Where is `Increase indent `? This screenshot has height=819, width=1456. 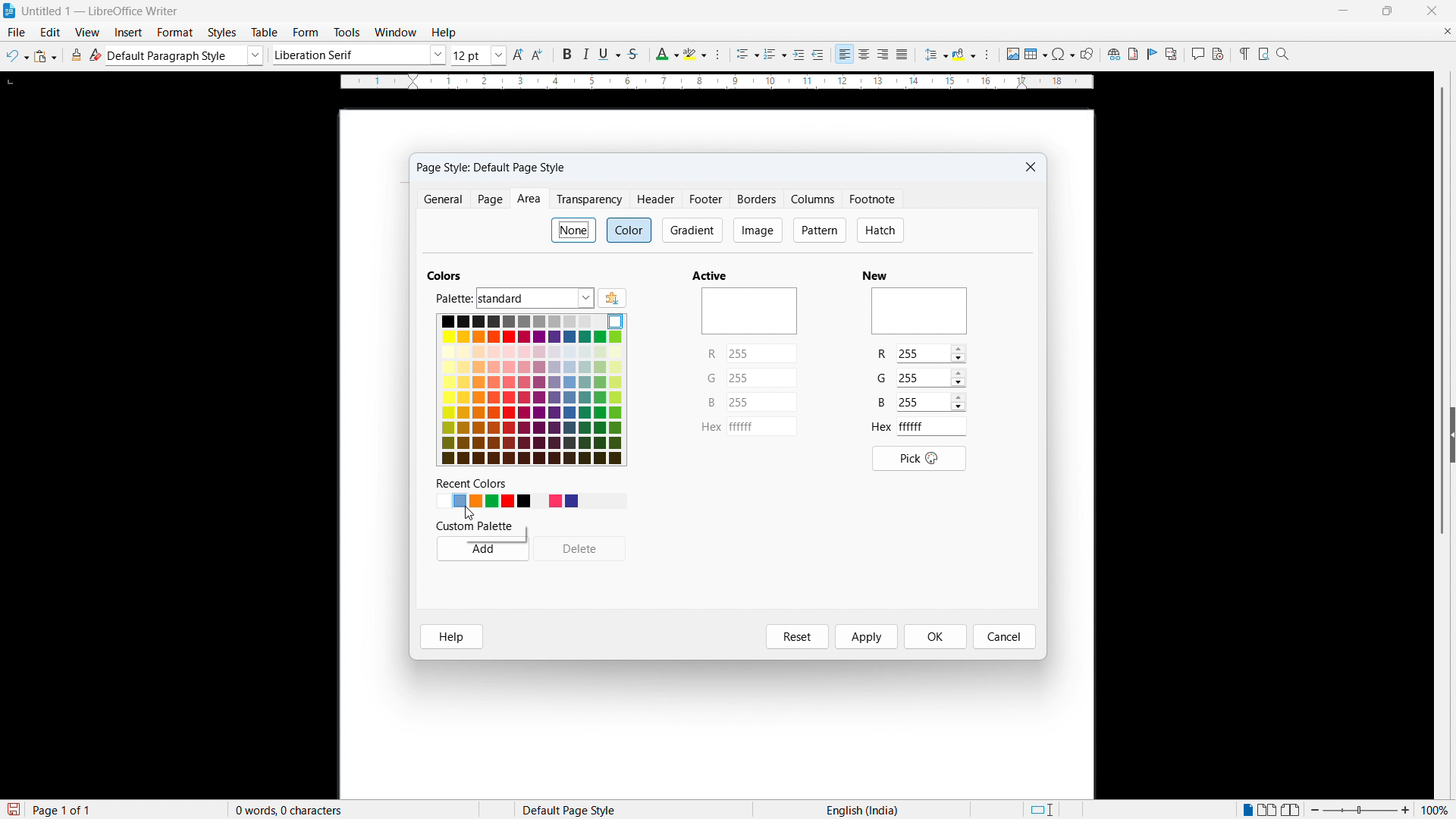 Increase indent  is located at coordinates (799, 55).